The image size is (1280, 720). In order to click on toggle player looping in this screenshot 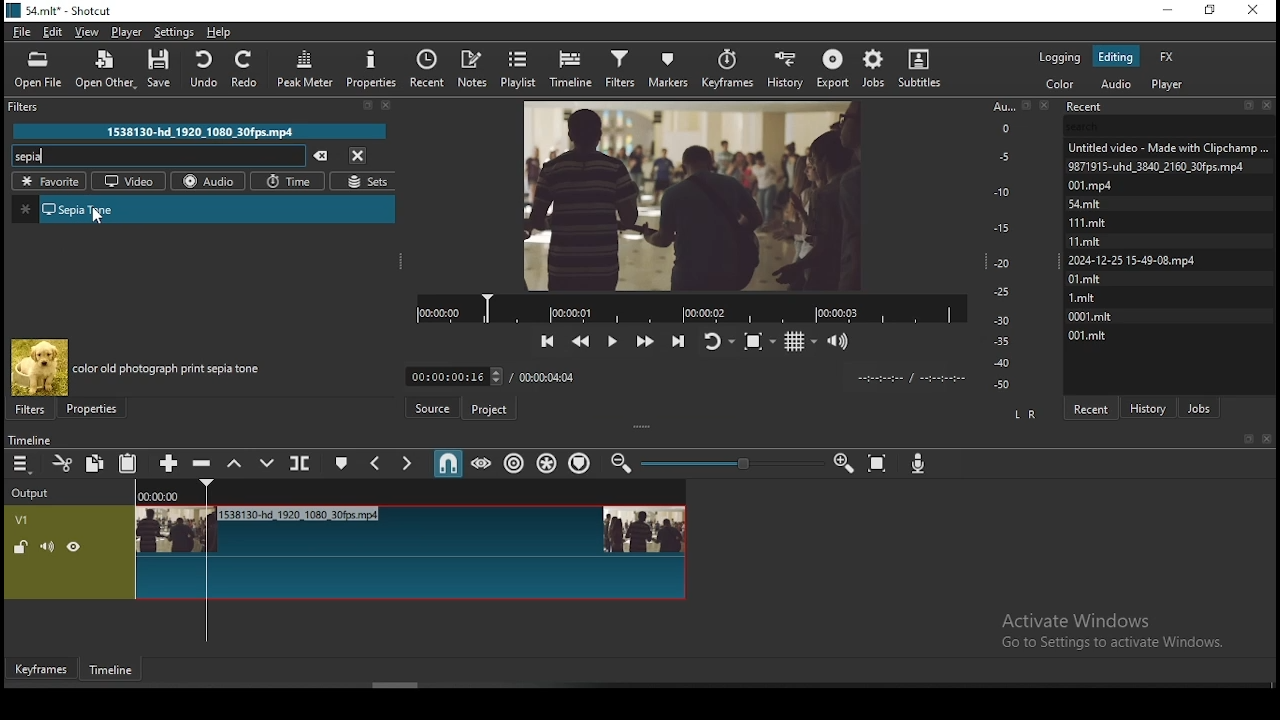, I will do `click(718, 340)`.